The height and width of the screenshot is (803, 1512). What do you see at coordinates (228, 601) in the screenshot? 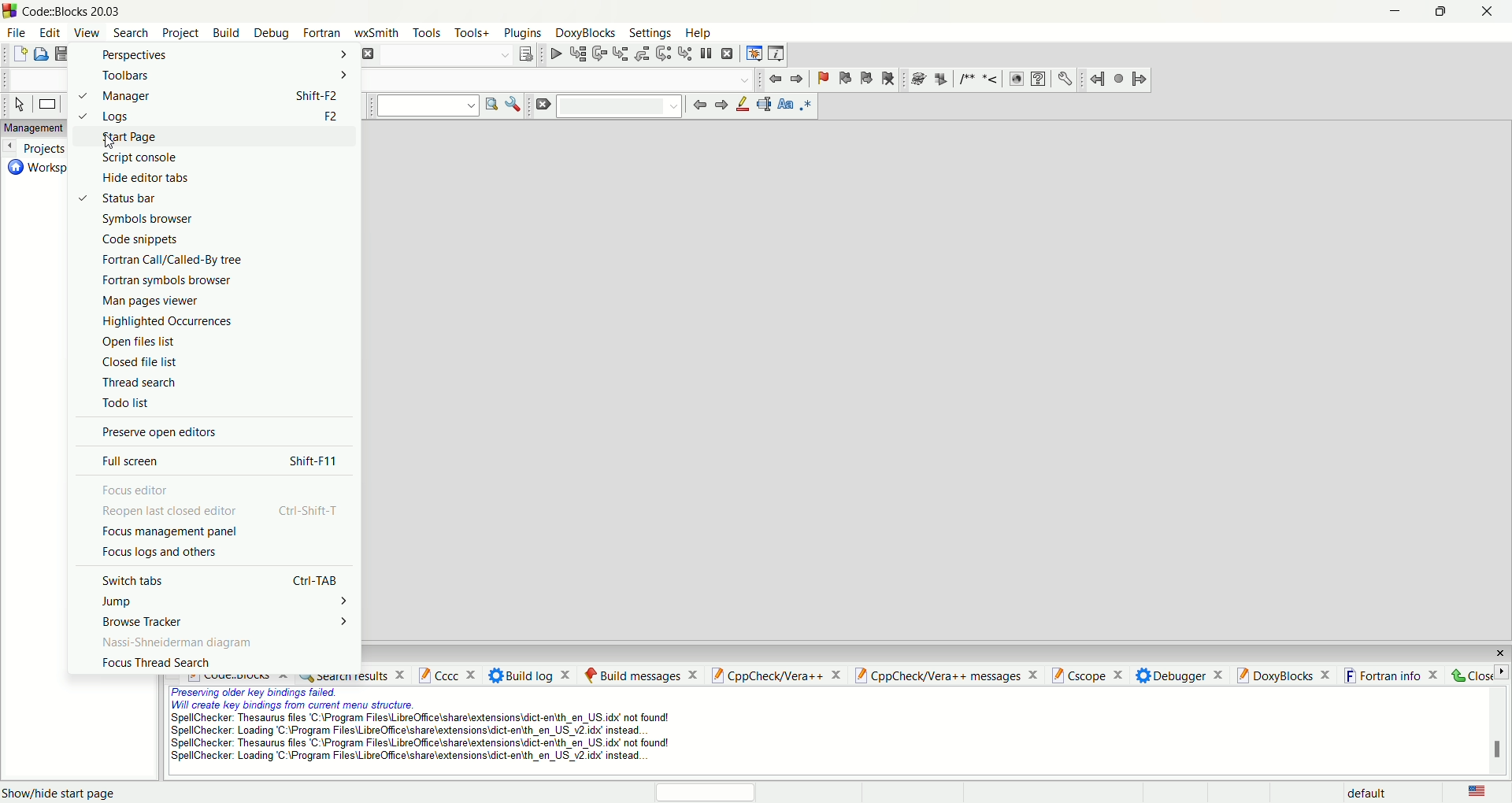
I see `jump` at bounding box center [228, 601].